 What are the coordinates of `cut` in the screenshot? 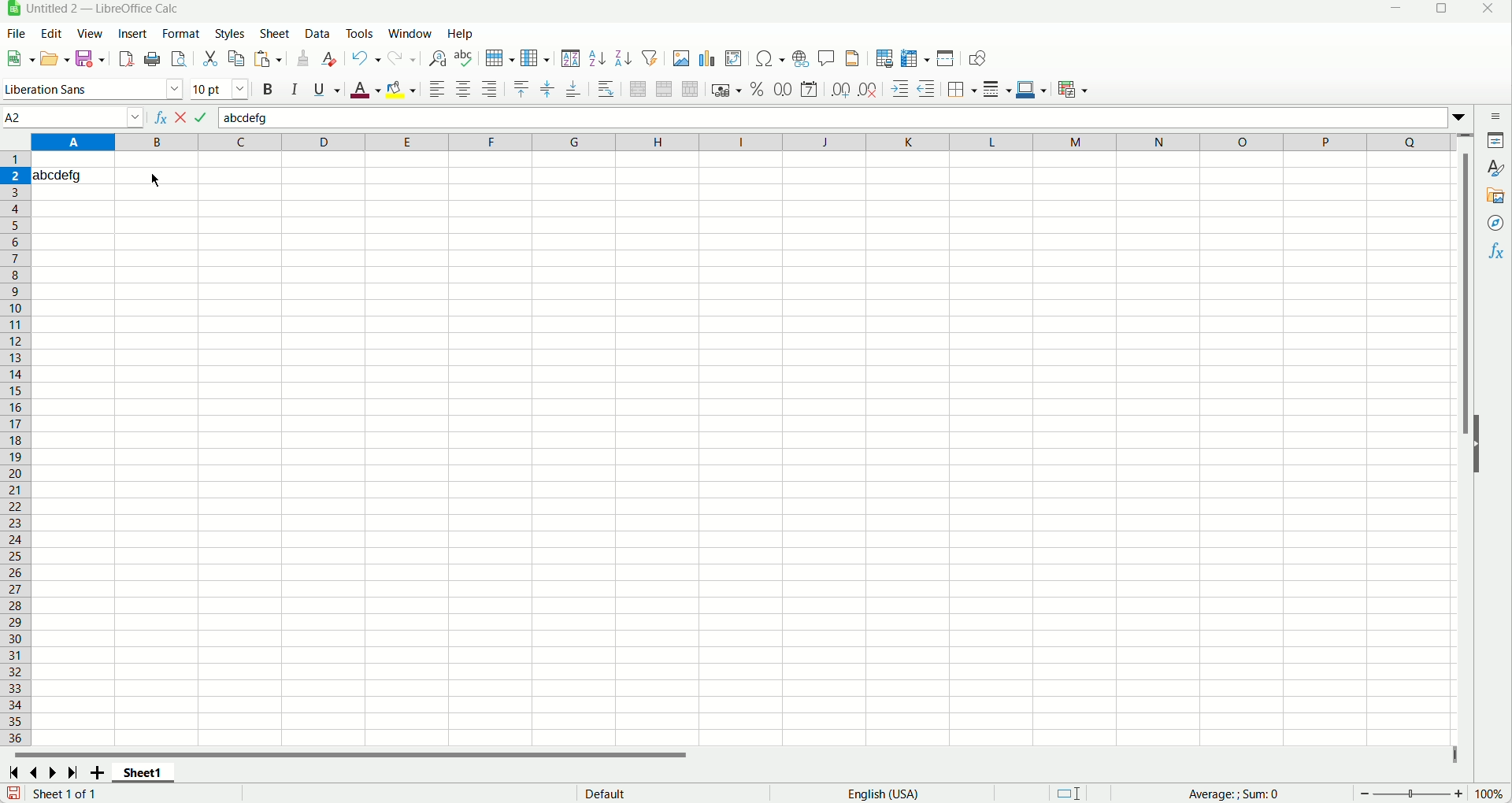 It's located at (209, 58).